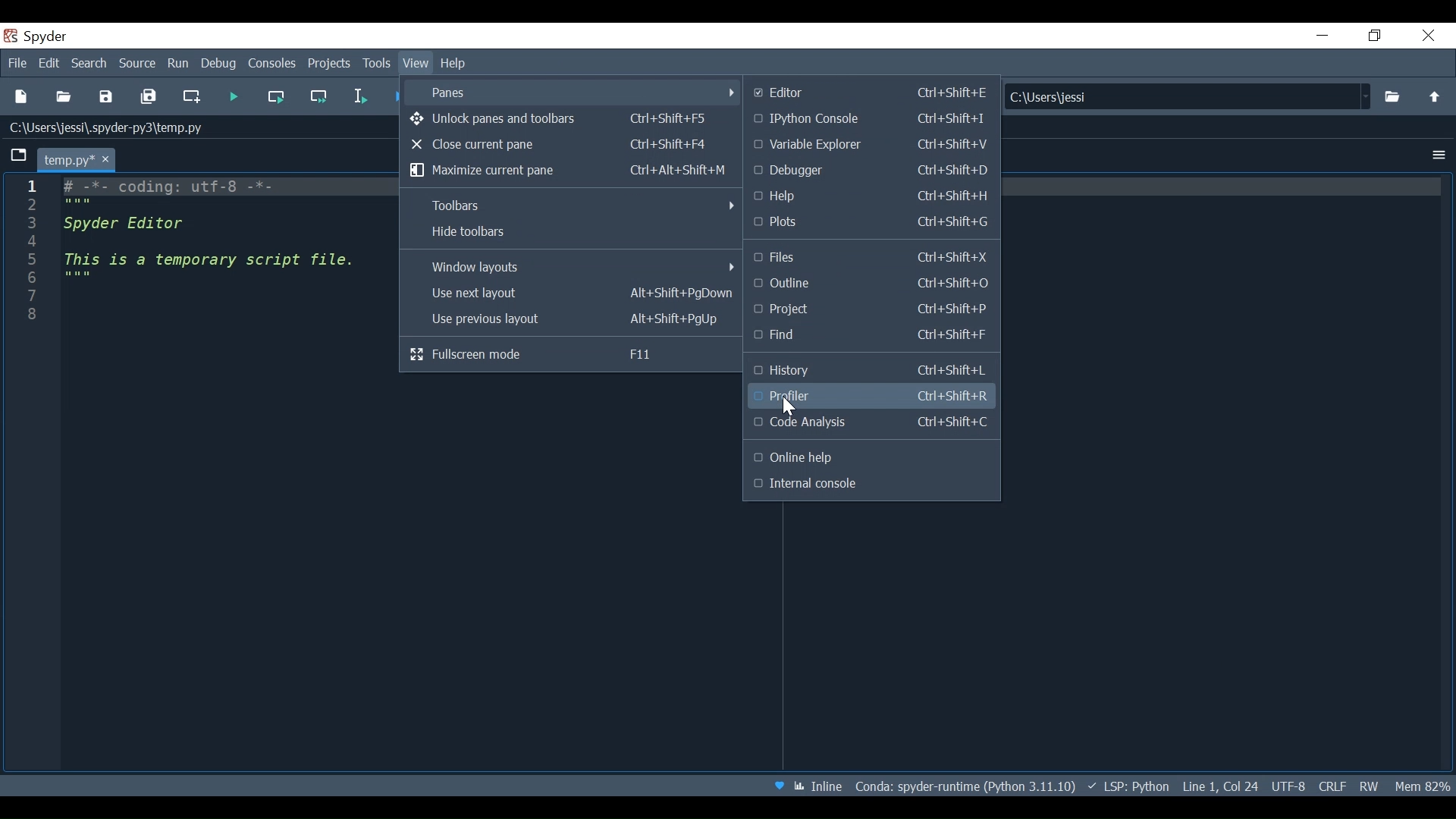 The image size is (1456, 819). What do you see at coordinates (871, 397) in the screenshot?
I see `Profiler` at bounding box center [871, 397].